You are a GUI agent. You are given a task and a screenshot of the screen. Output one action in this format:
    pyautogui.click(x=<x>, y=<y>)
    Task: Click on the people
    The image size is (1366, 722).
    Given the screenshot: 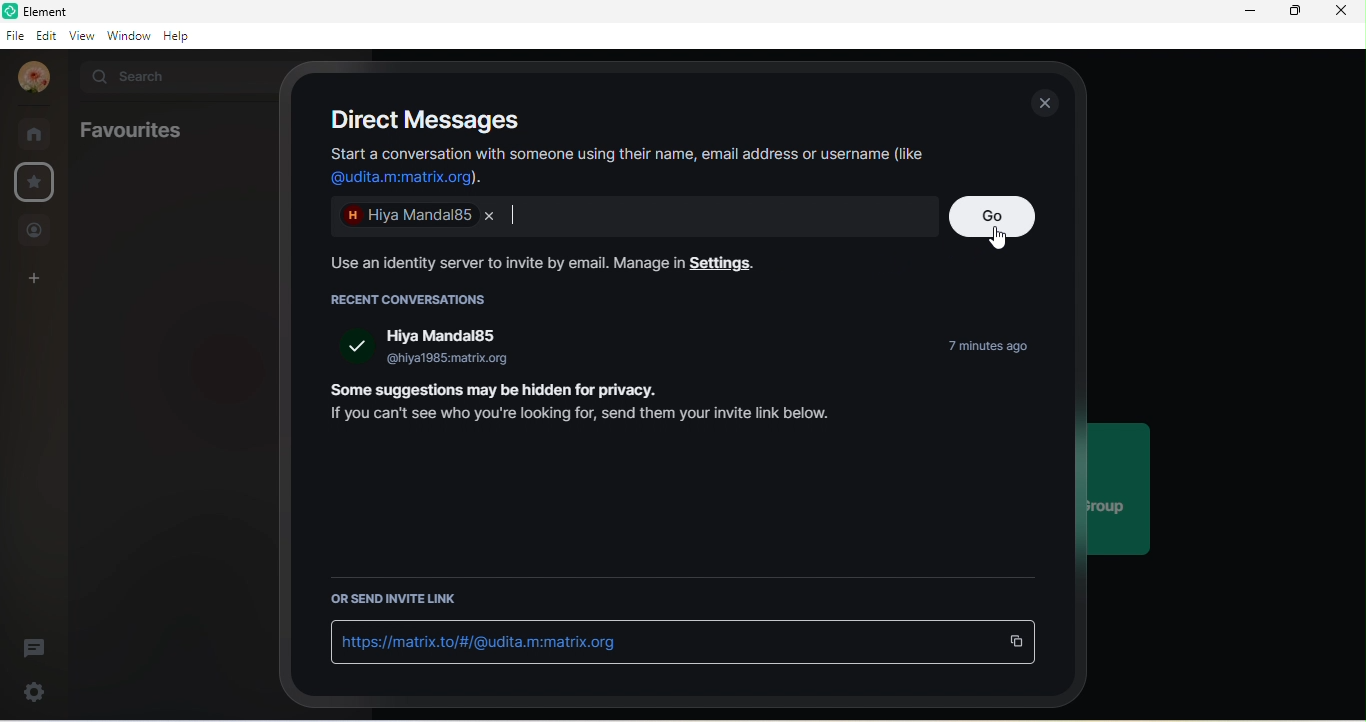 What is the action you would take?
    pyautogui.click(x=36, y=231)
    